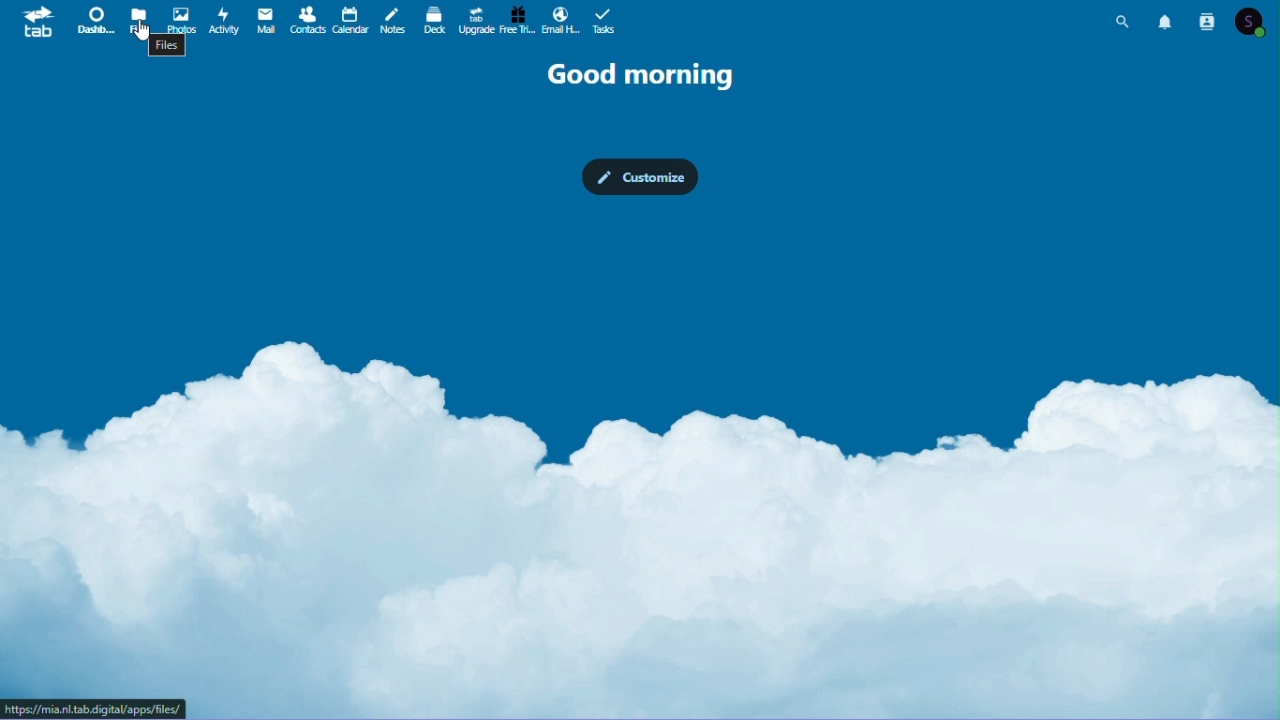 This screenshot has height=720, width=1280. What do you see at coordinates (36, 24) in the screenshot?
I see `tab` at bounding box center [36, 24].